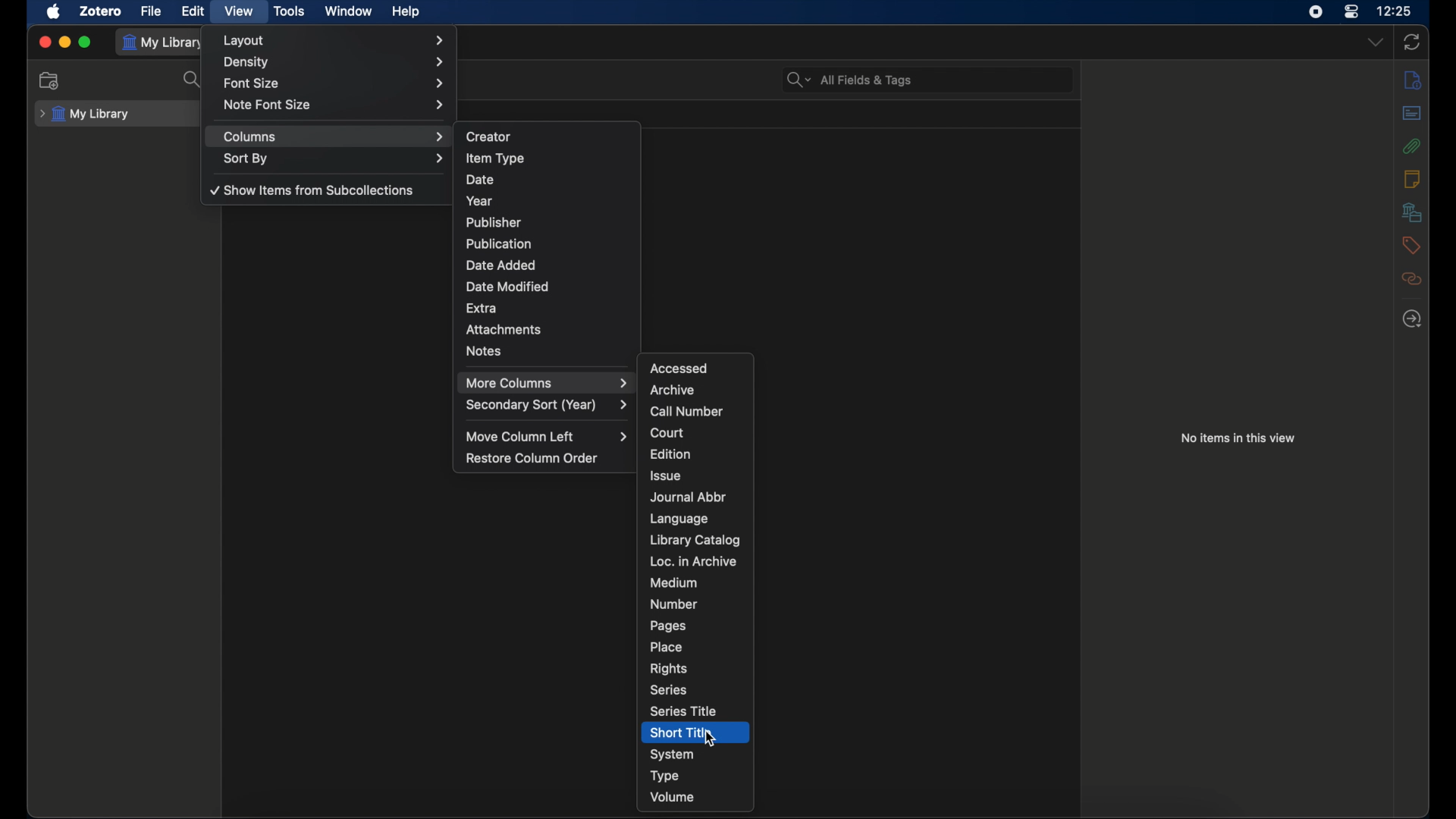 The image size is (1456, 819). I want to click on dropdown, so click(1375, 41).